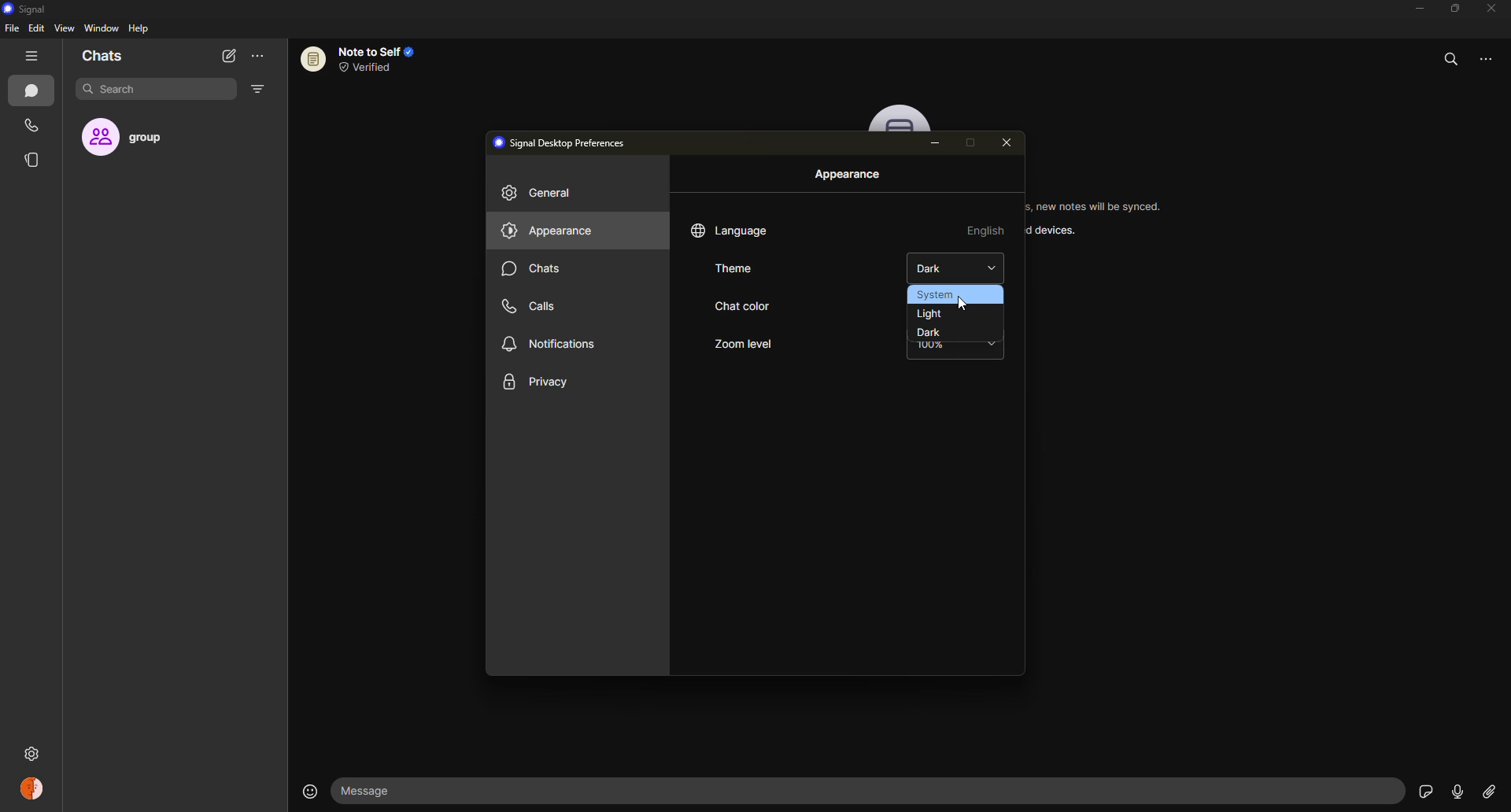 This screenshot has height=812, width=1511. I want to click on chats, so click(102, 57).